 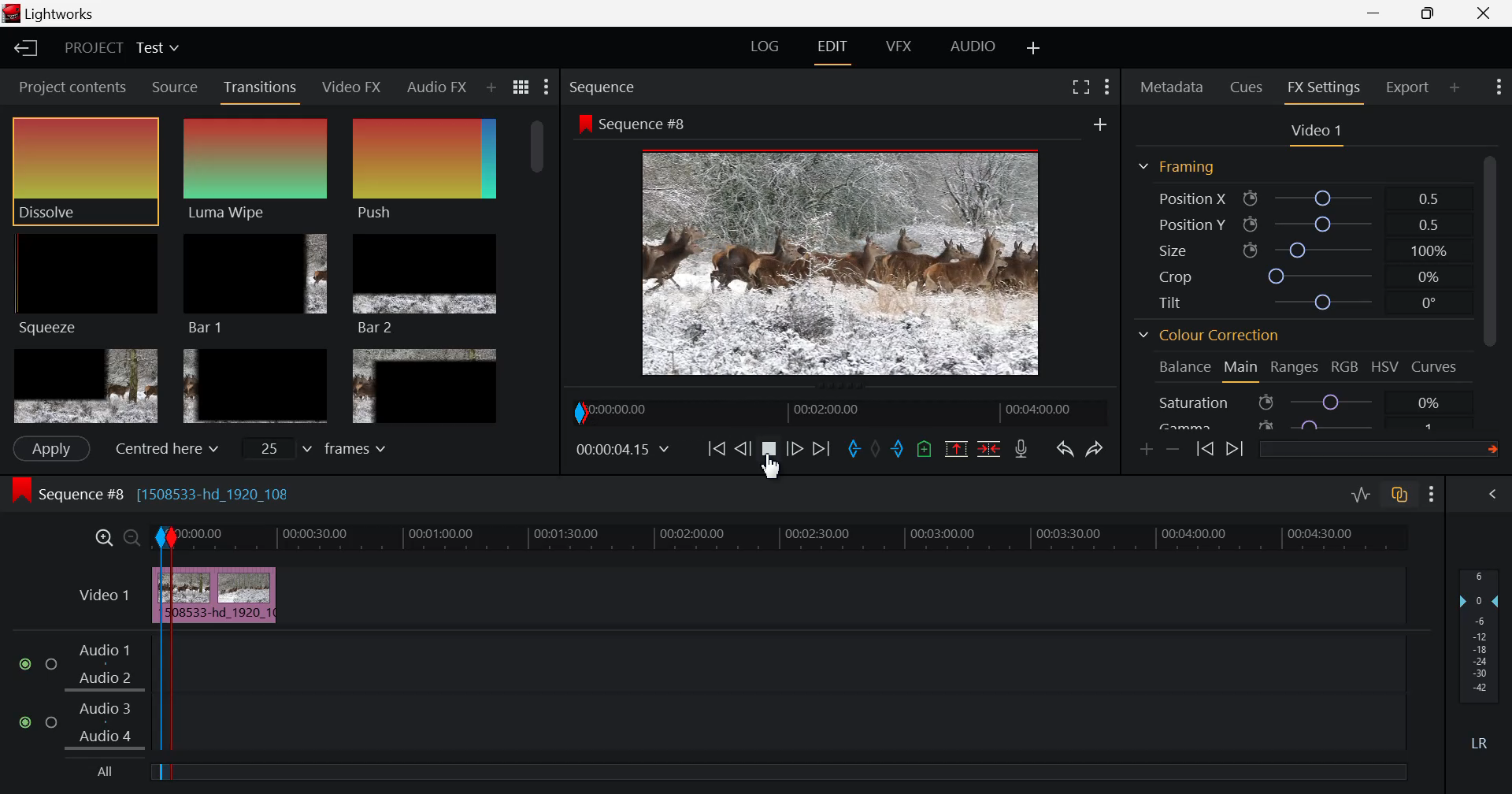 I want to click on Go Back, so click(x=743, y=448).